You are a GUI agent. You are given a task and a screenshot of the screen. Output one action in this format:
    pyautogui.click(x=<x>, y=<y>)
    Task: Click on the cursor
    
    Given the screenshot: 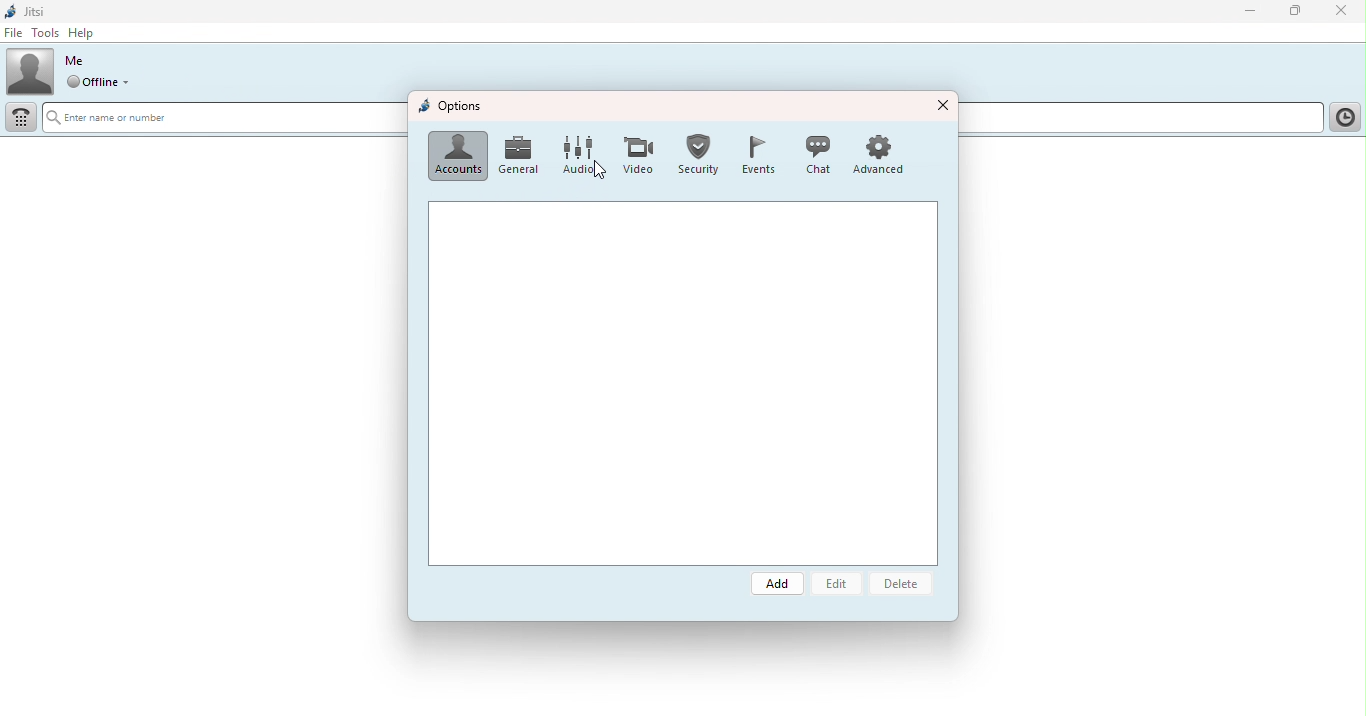 What is the action you would take?
    pyautogui.click(x=599, y=172)
    